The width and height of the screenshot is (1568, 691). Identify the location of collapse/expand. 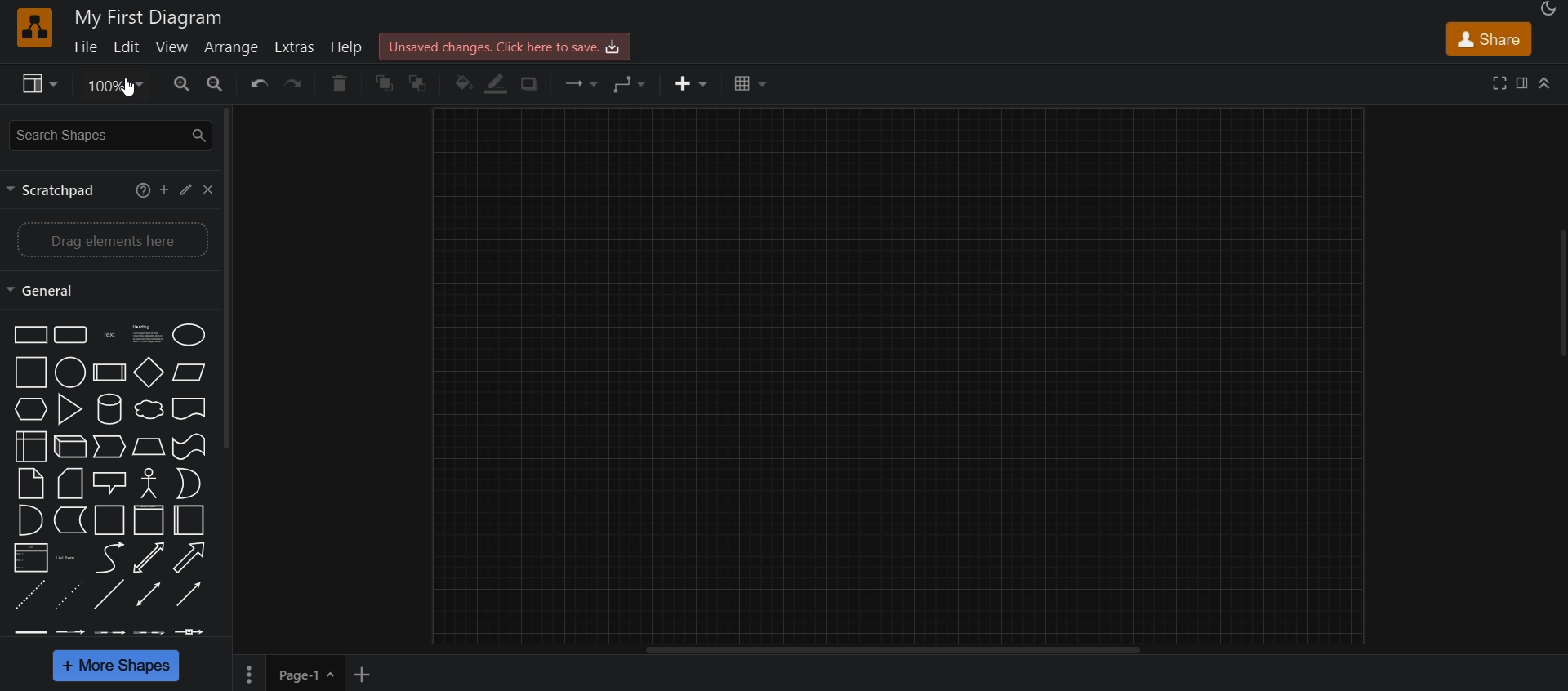
(1548, 83).